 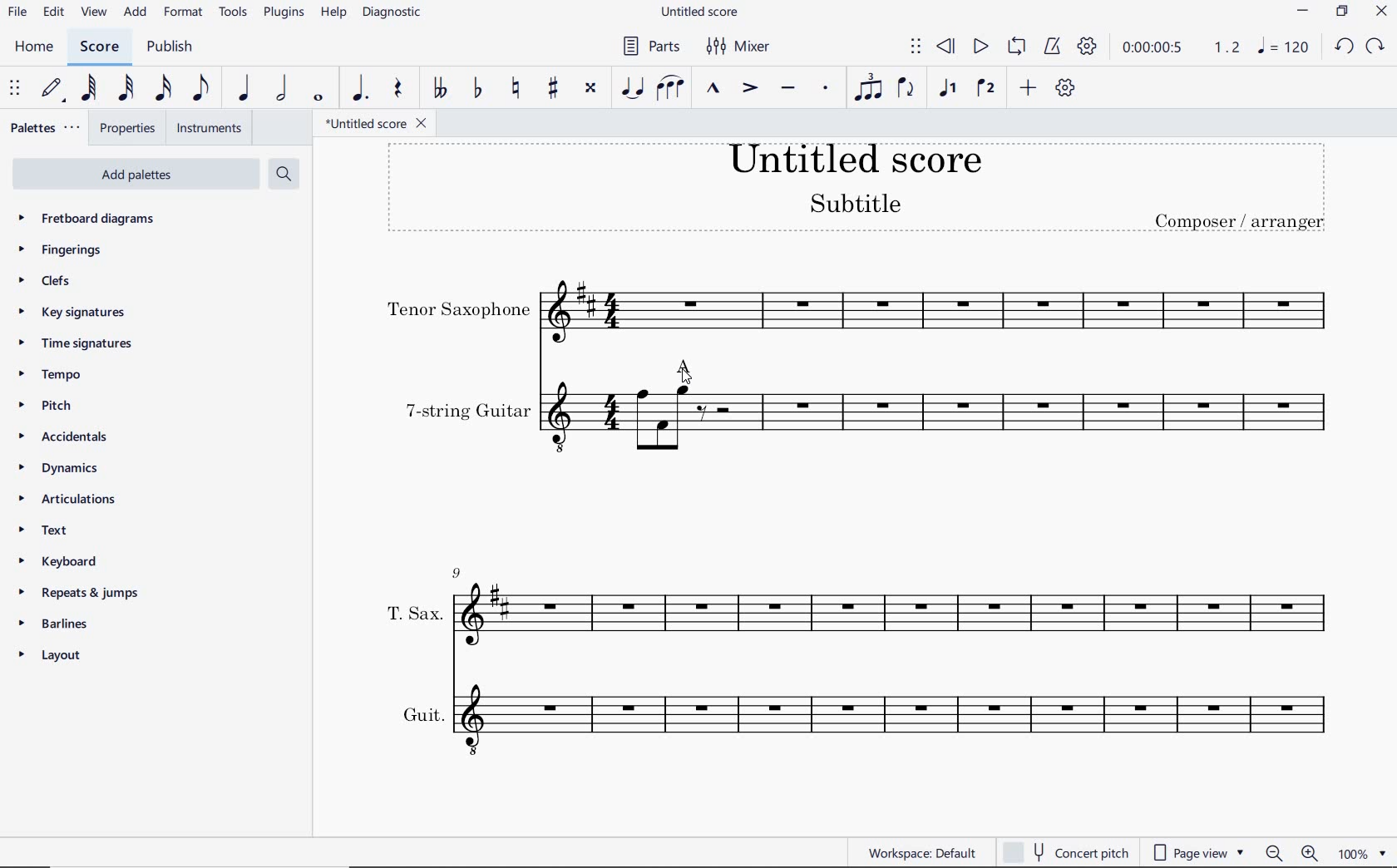 What do you see at coordinates (1052, 47) in the screenshot?
I see `METRONOME` at bounding box center [1052, 47].